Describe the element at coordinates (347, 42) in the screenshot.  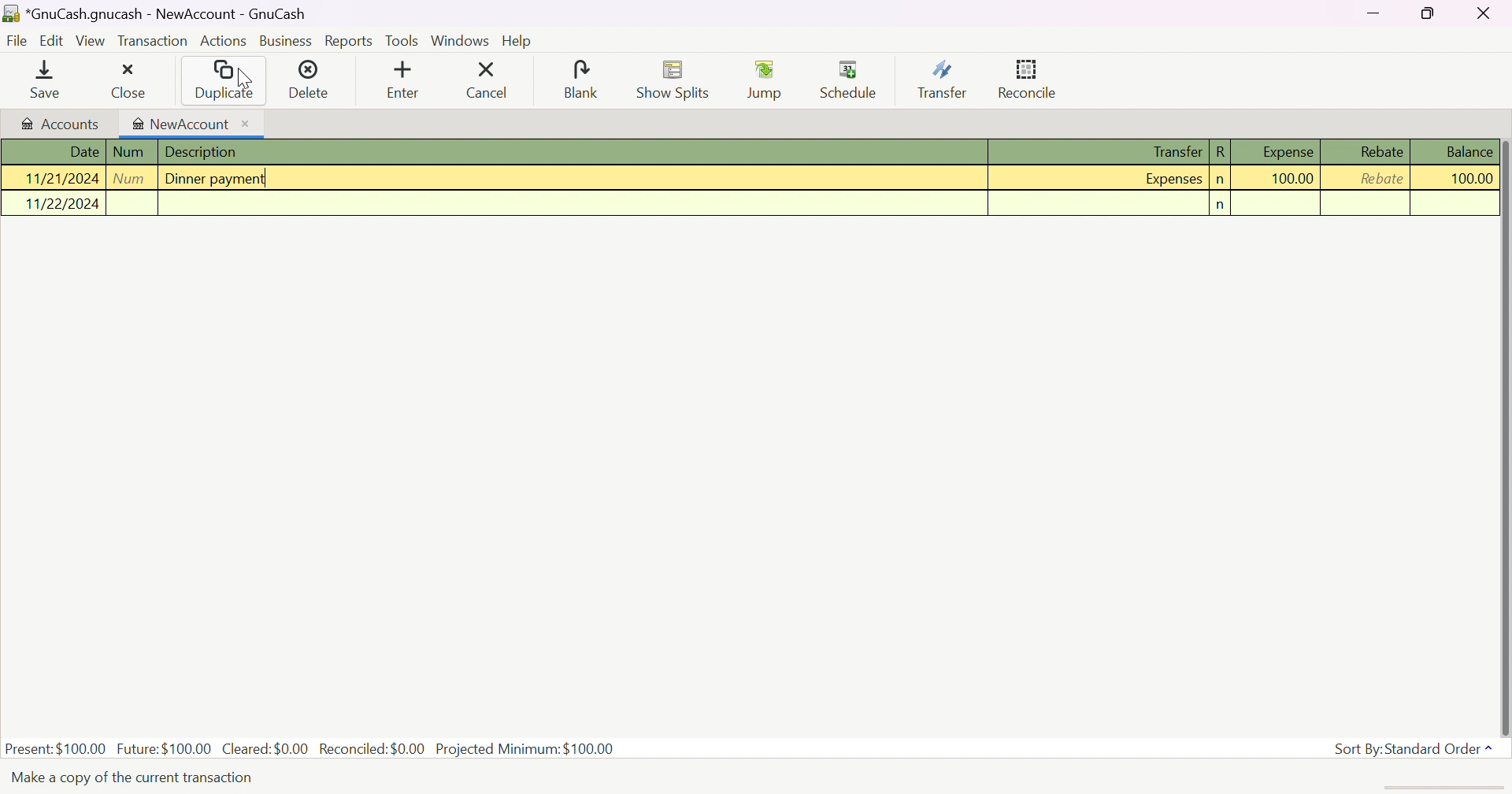
I see `Reports` at that location.